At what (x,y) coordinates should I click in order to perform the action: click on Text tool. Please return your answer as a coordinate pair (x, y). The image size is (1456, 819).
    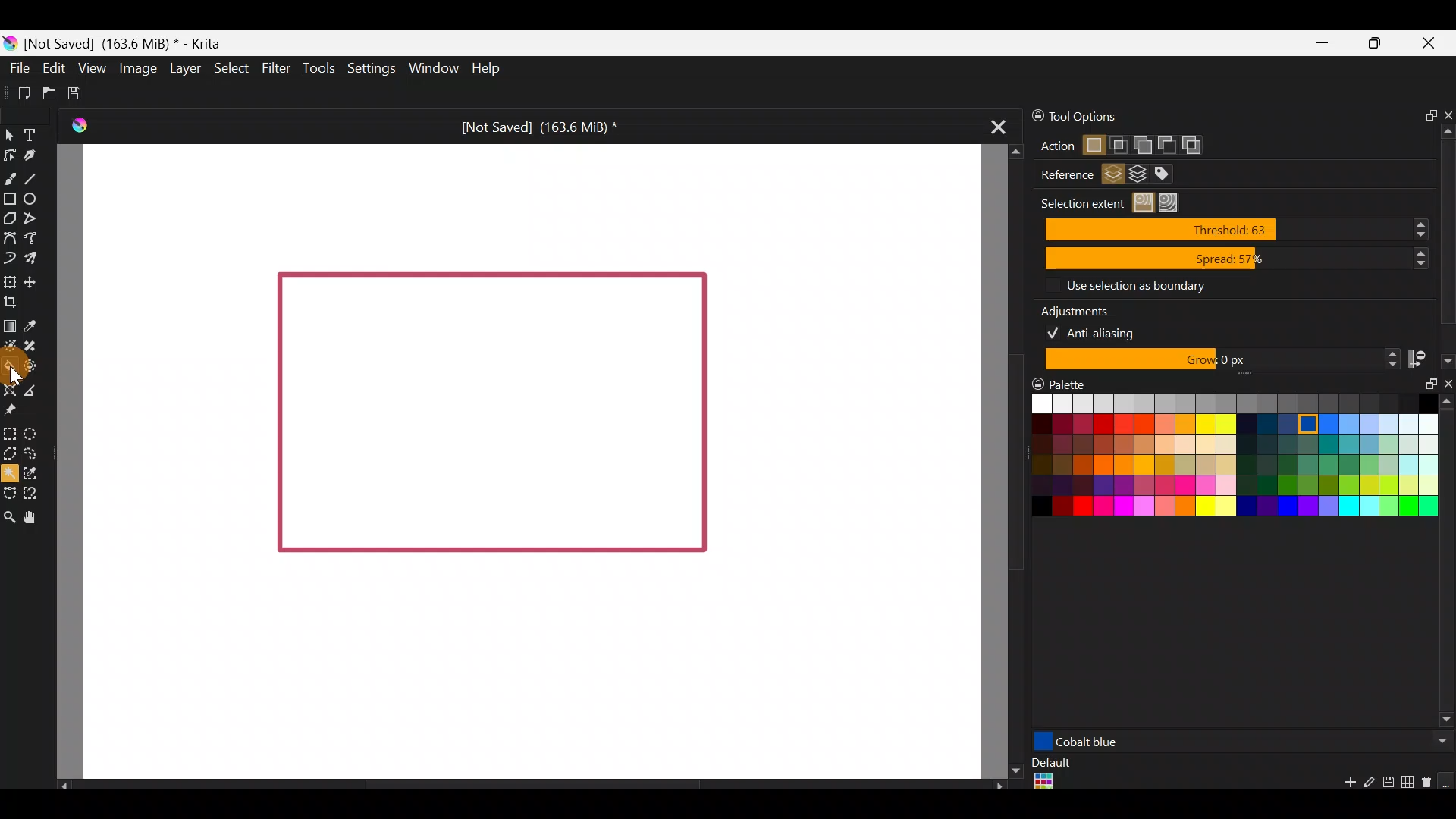
    Looking at the image, I should click on (31, 133).